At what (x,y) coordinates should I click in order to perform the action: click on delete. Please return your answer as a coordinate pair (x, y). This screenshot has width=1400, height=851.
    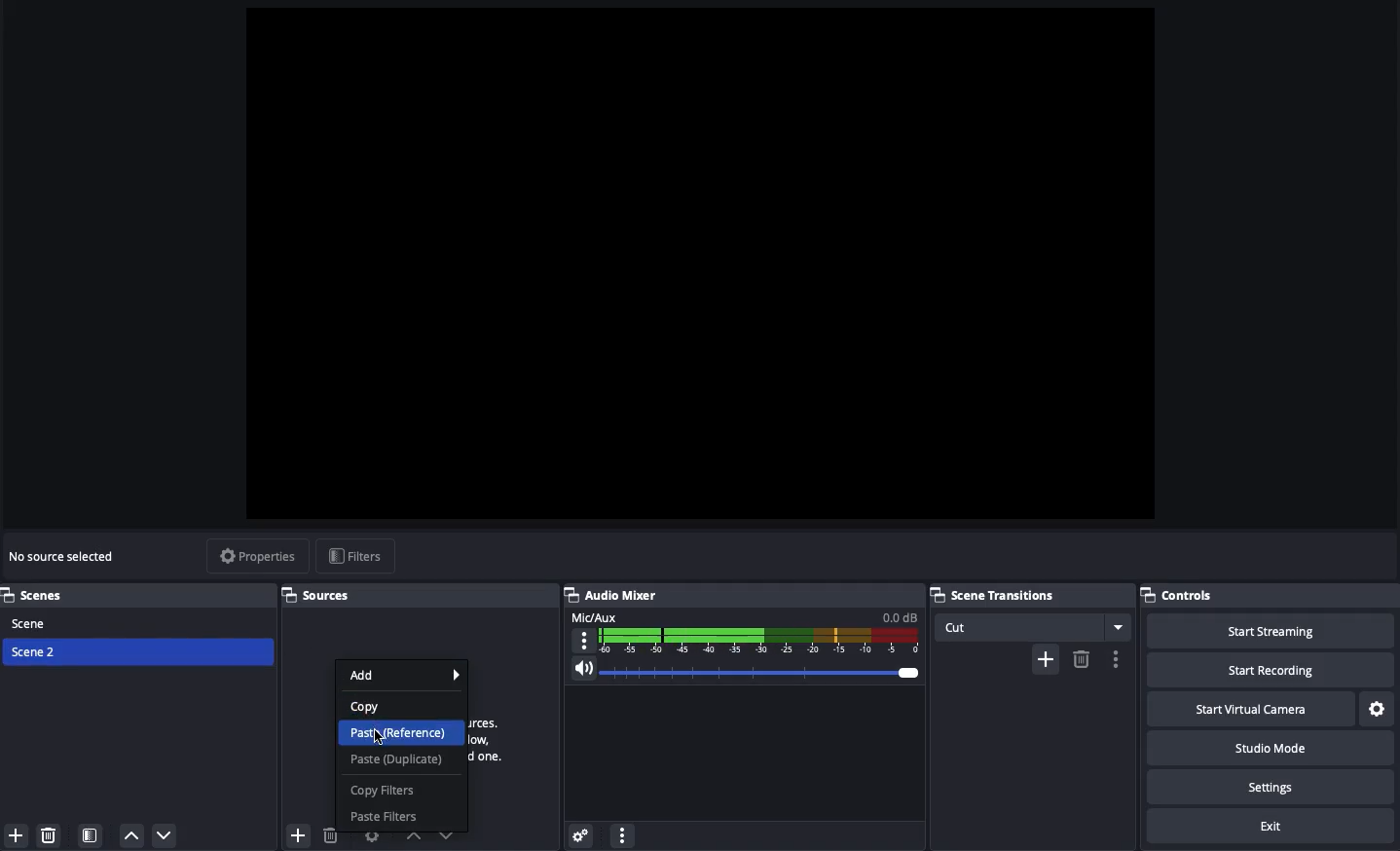
    Looking at the image, I should click on (1081, 658).